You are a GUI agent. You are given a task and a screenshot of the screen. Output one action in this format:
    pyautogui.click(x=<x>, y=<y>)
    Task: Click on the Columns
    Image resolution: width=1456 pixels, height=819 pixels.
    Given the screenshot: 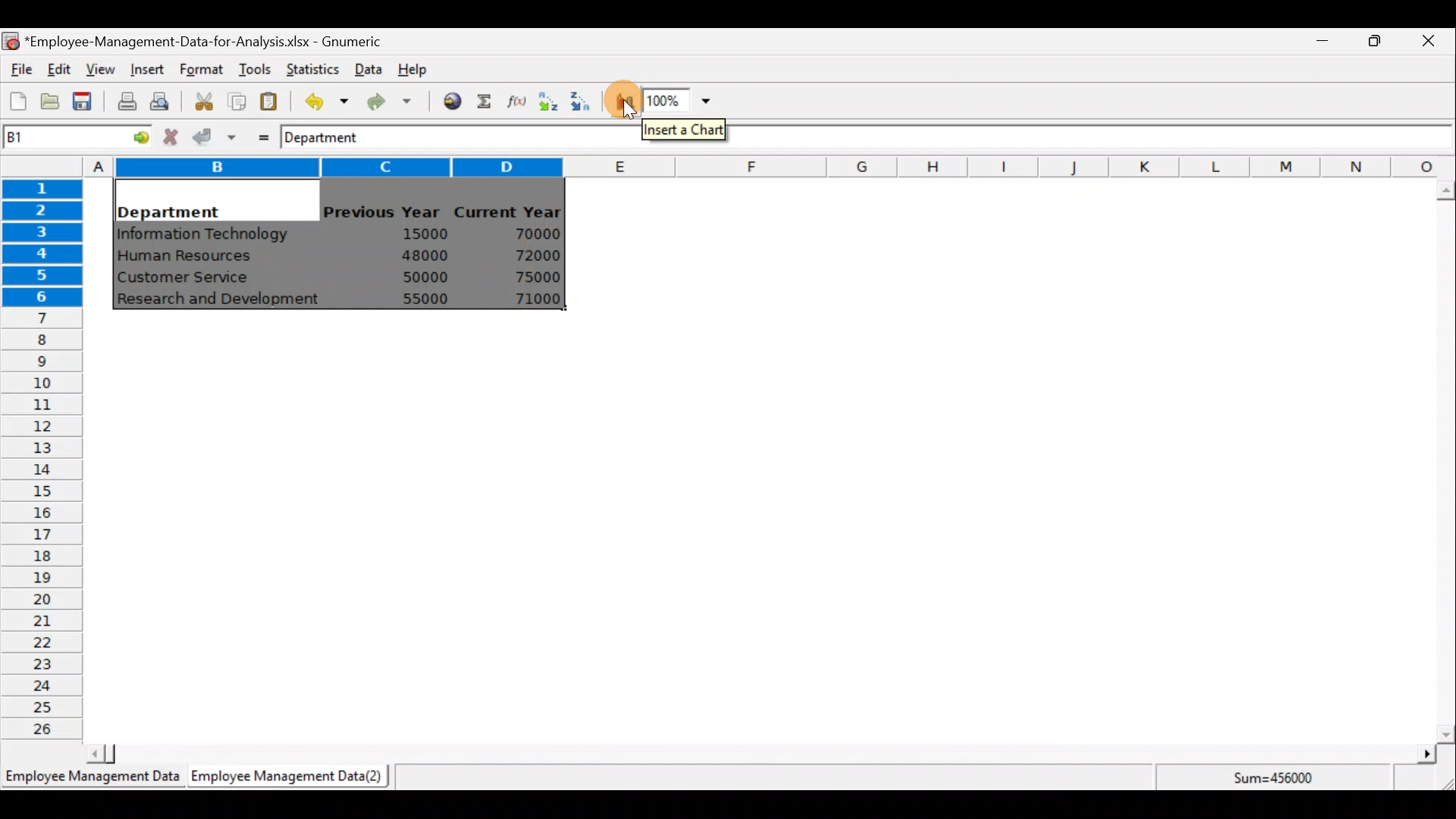 What is the action you would take?
    pyautogui.click(x=769, y=168)
    